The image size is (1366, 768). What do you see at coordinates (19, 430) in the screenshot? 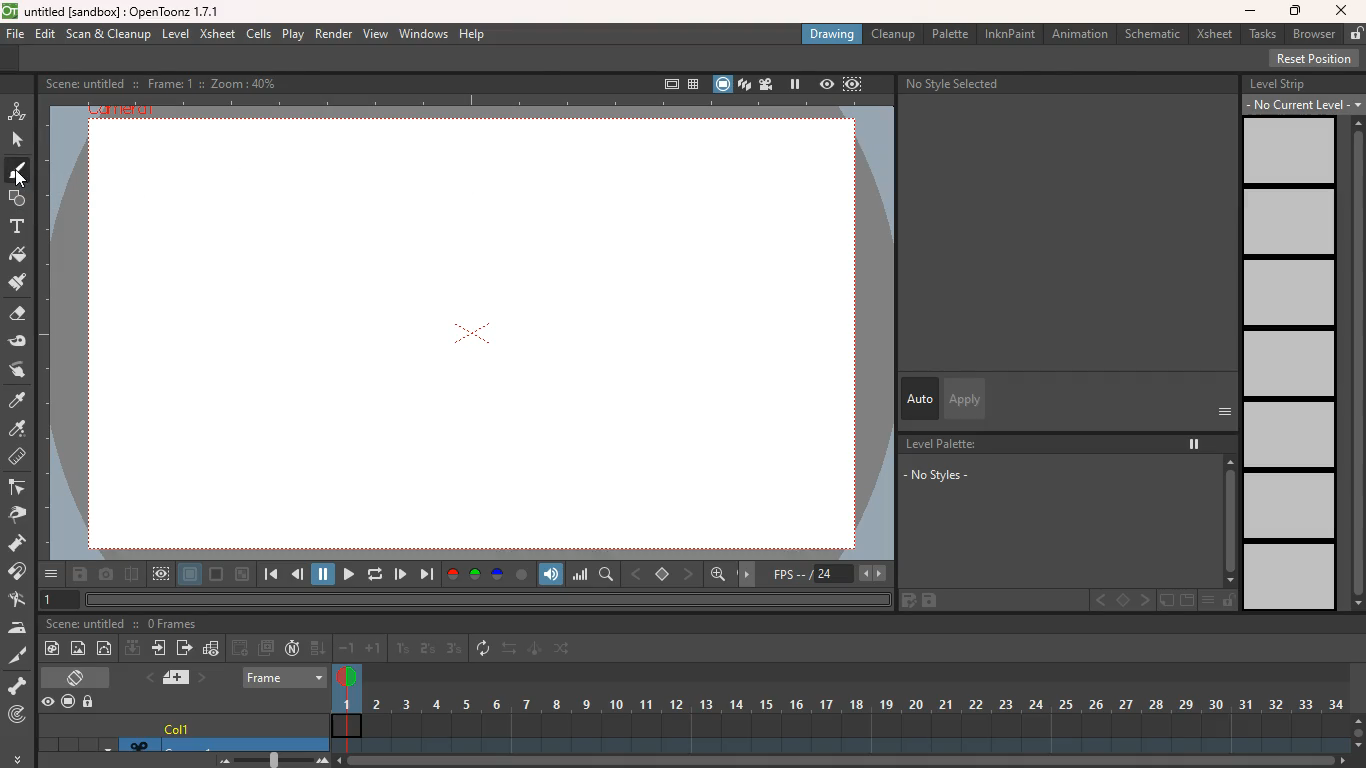
I see `drop` at bounding box center [19, 430].